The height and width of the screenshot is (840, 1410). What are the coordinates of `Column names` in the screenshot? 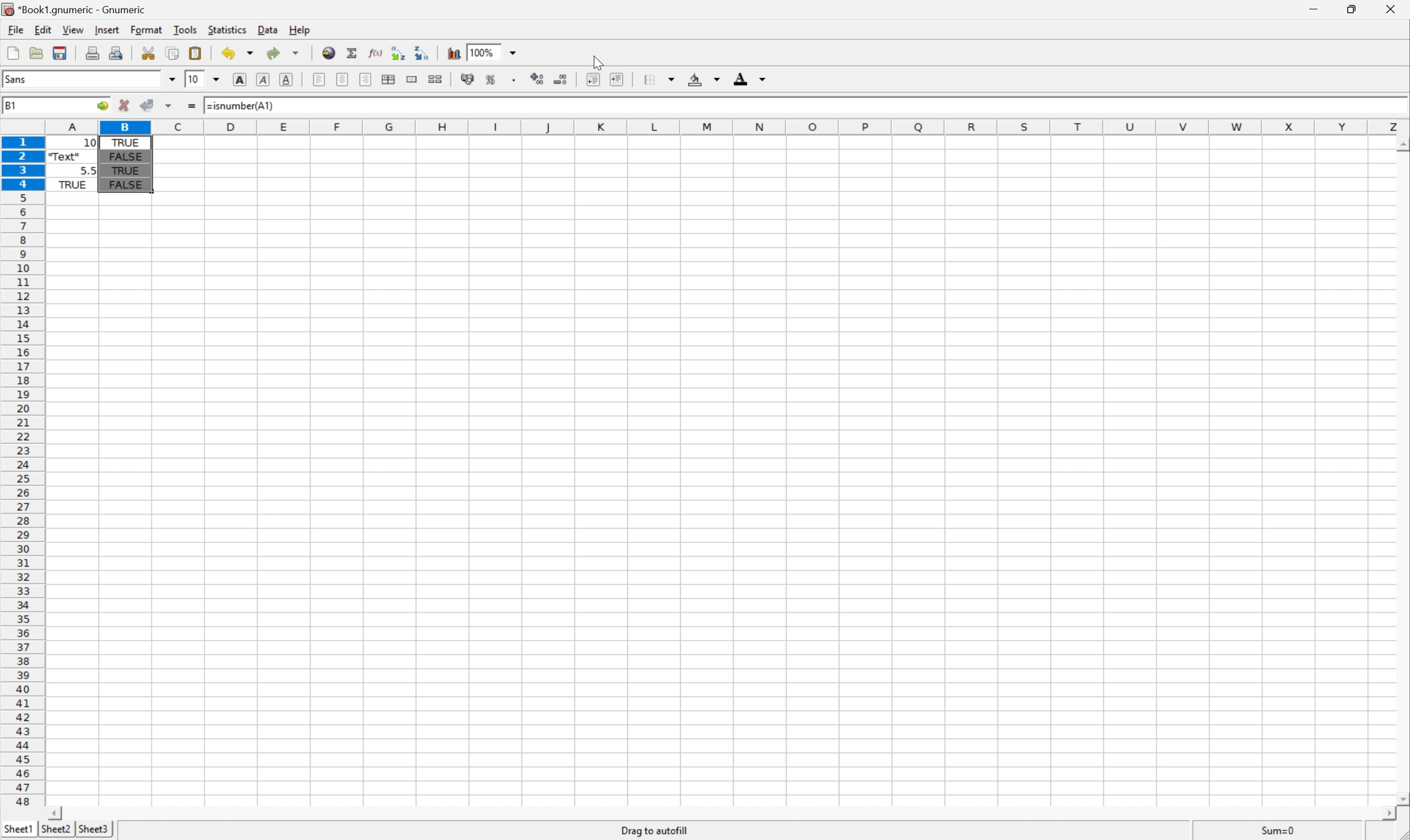 It's located at (727, 127).